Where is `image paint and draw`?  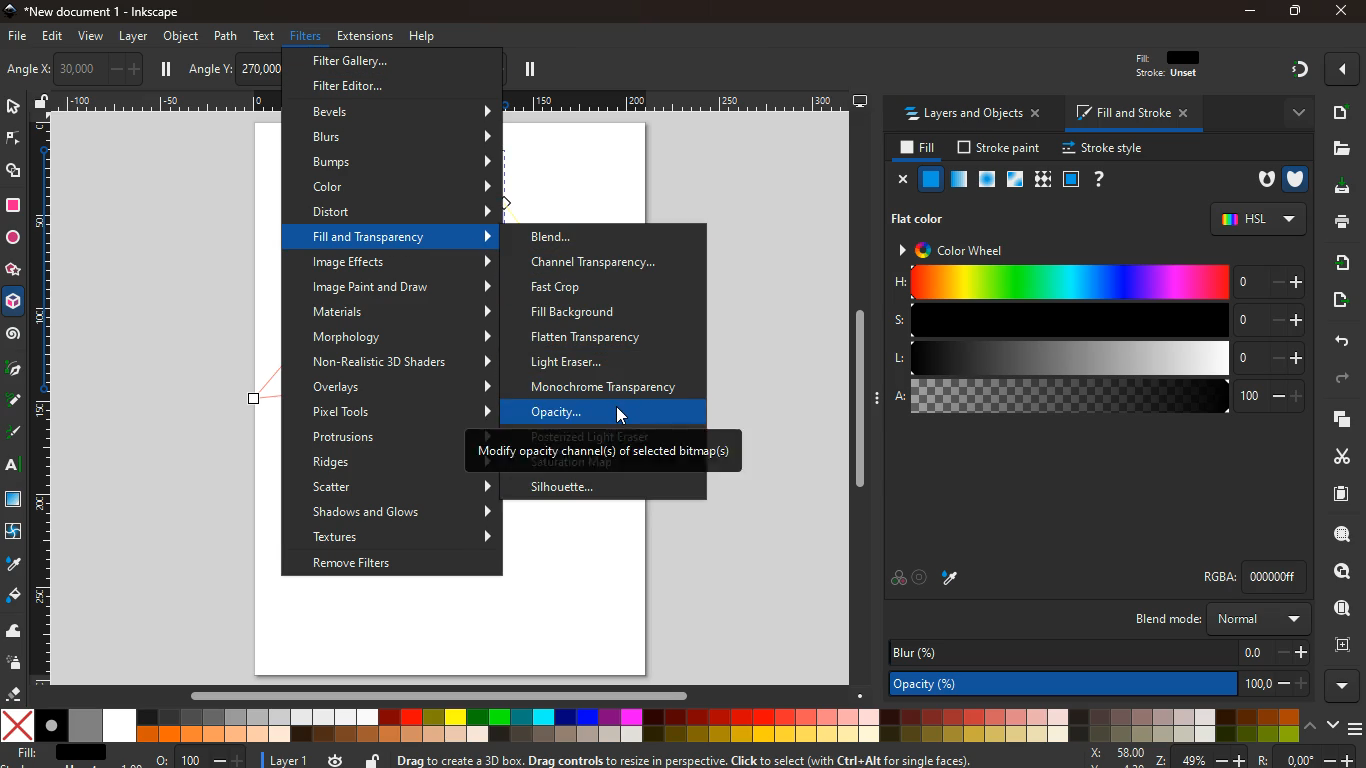
image paint and draw is located at coordinates (402, 287).